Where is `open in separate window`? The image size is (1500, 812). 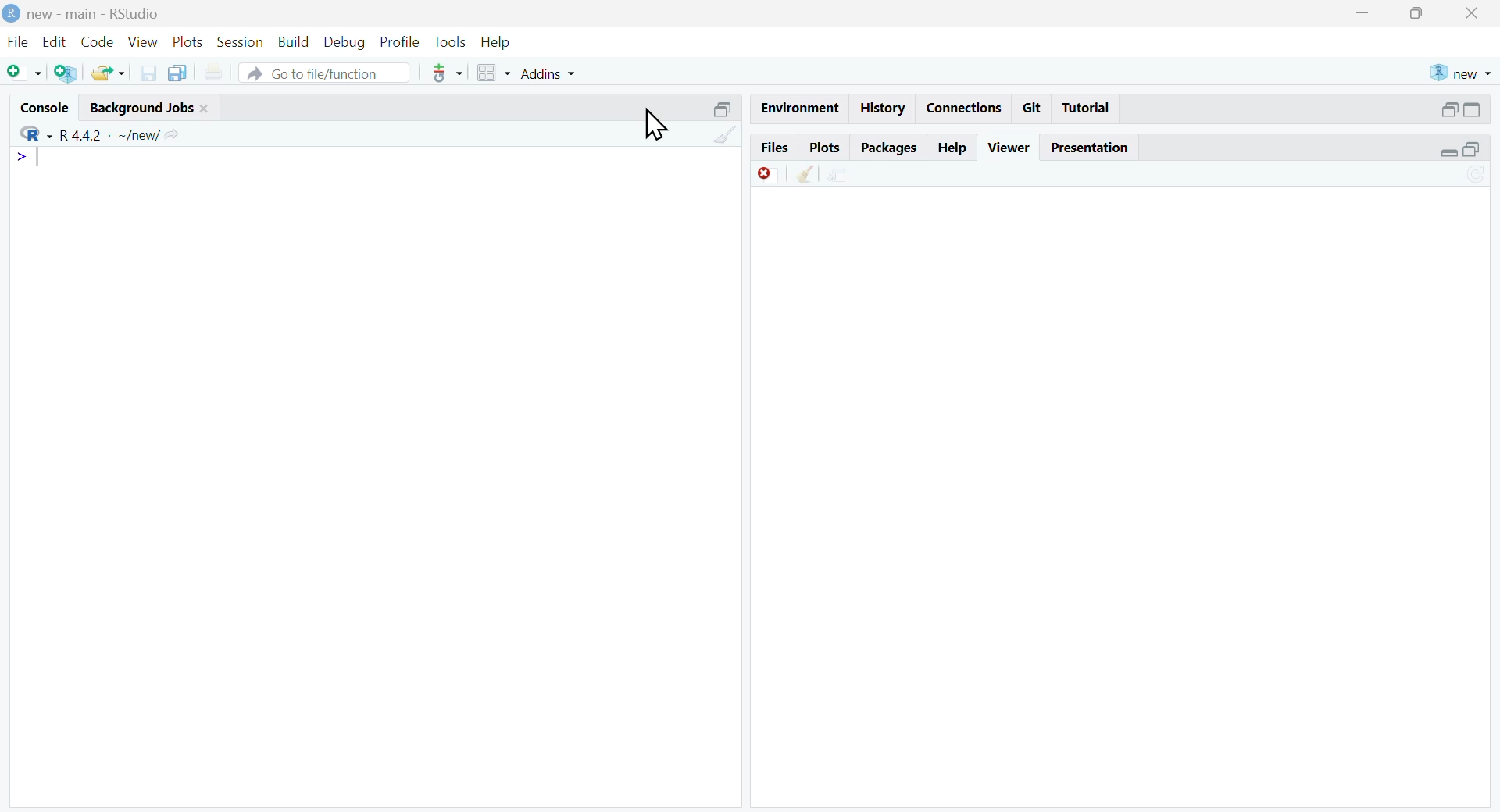 open in separate window is located at coordinates (1450, 109).